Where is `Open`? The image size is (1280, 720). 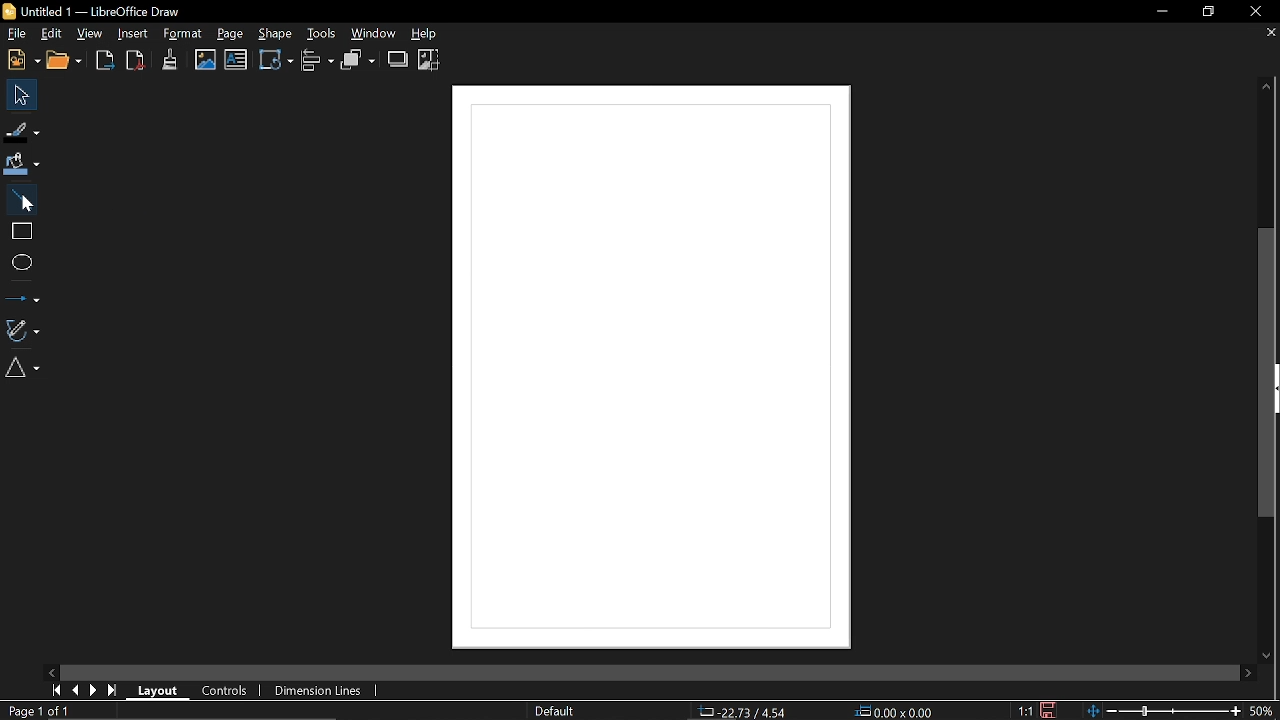 Open is located at coordinates (65, 61).